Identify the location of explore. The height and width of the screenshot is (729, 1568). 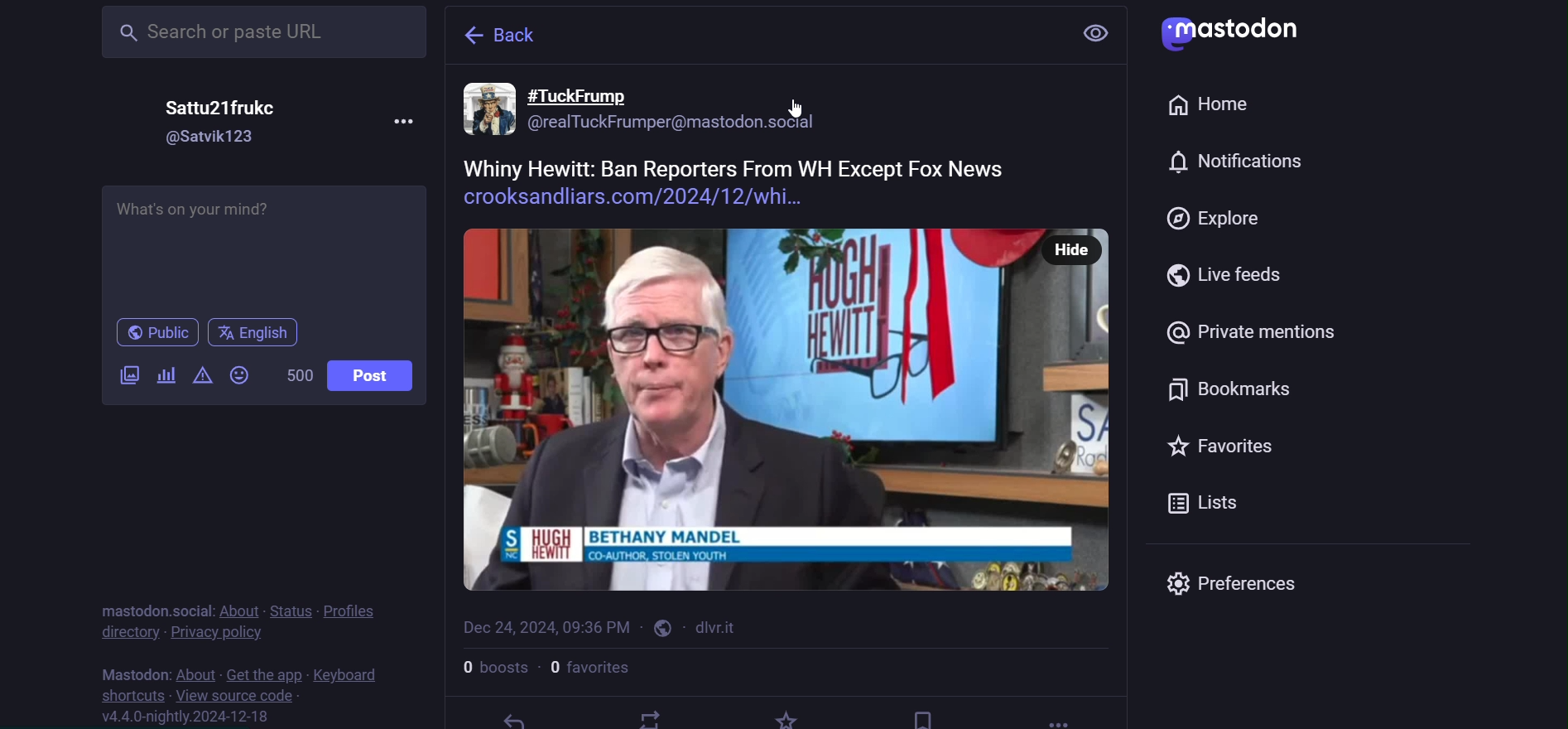
(1216, 222).